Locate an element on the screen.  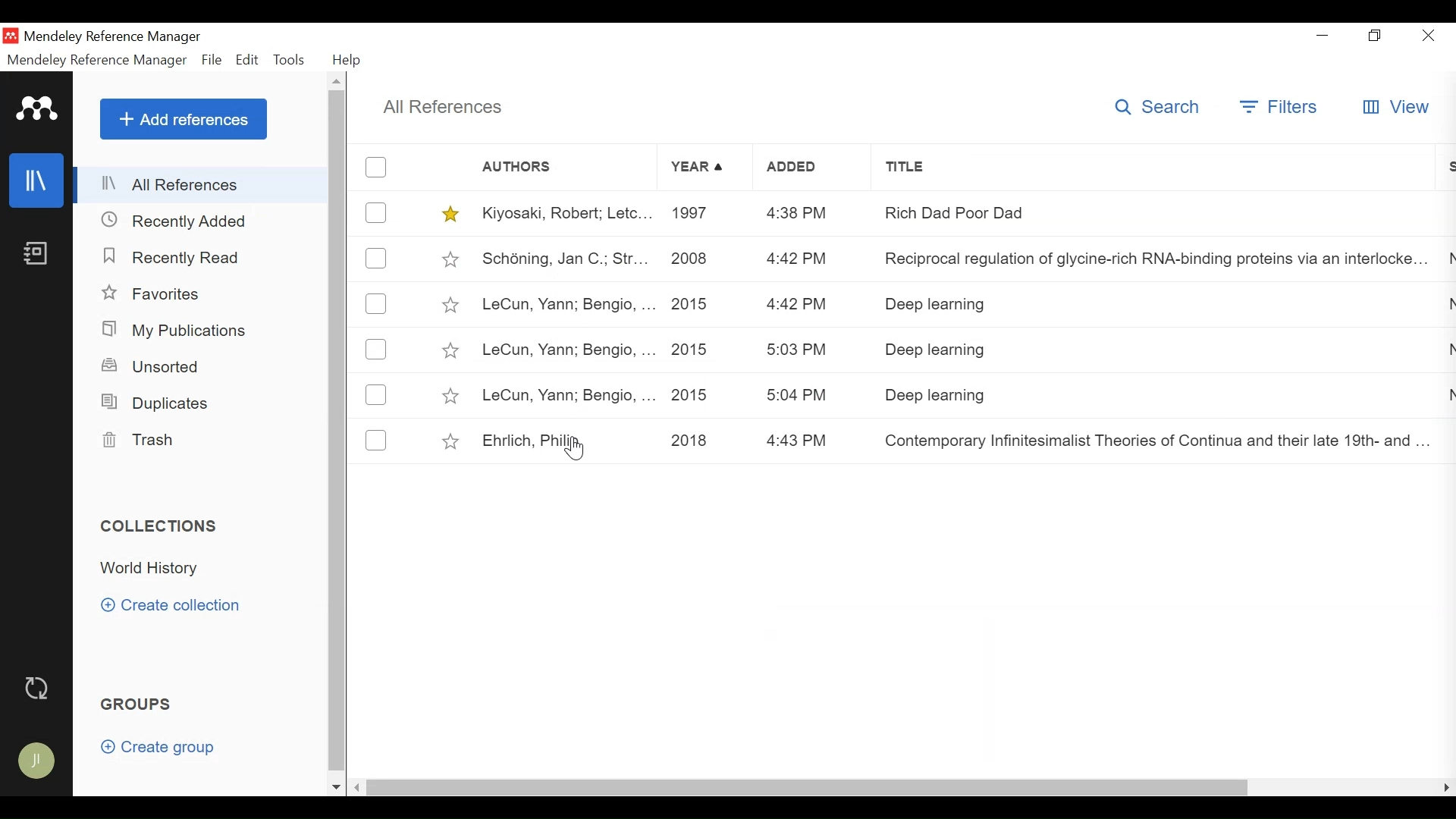
Unsorted is located at coordinates (151, 368).